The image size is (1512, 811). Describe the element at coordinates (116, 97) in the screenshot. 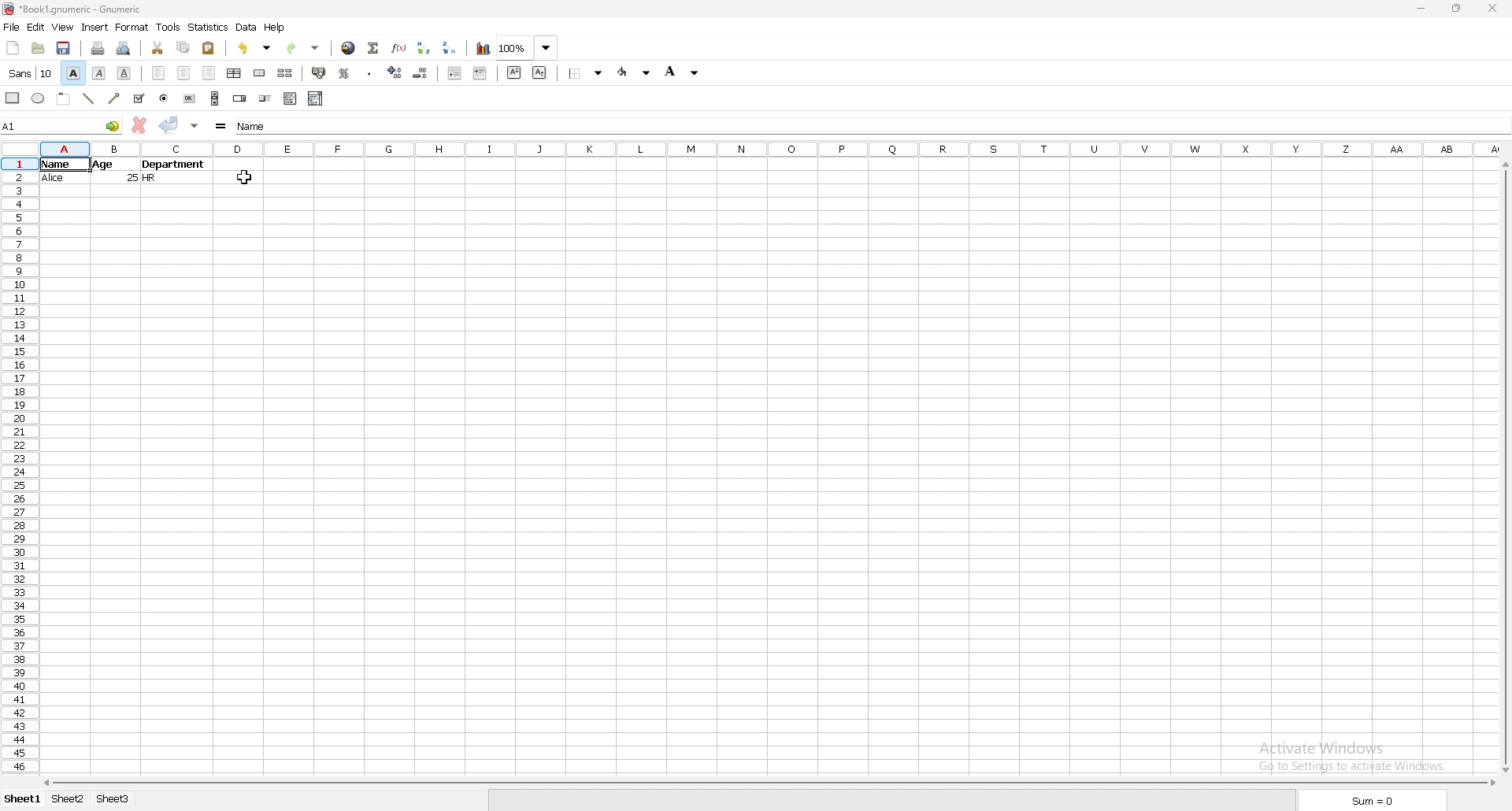

I see `arrowed line` at that location.